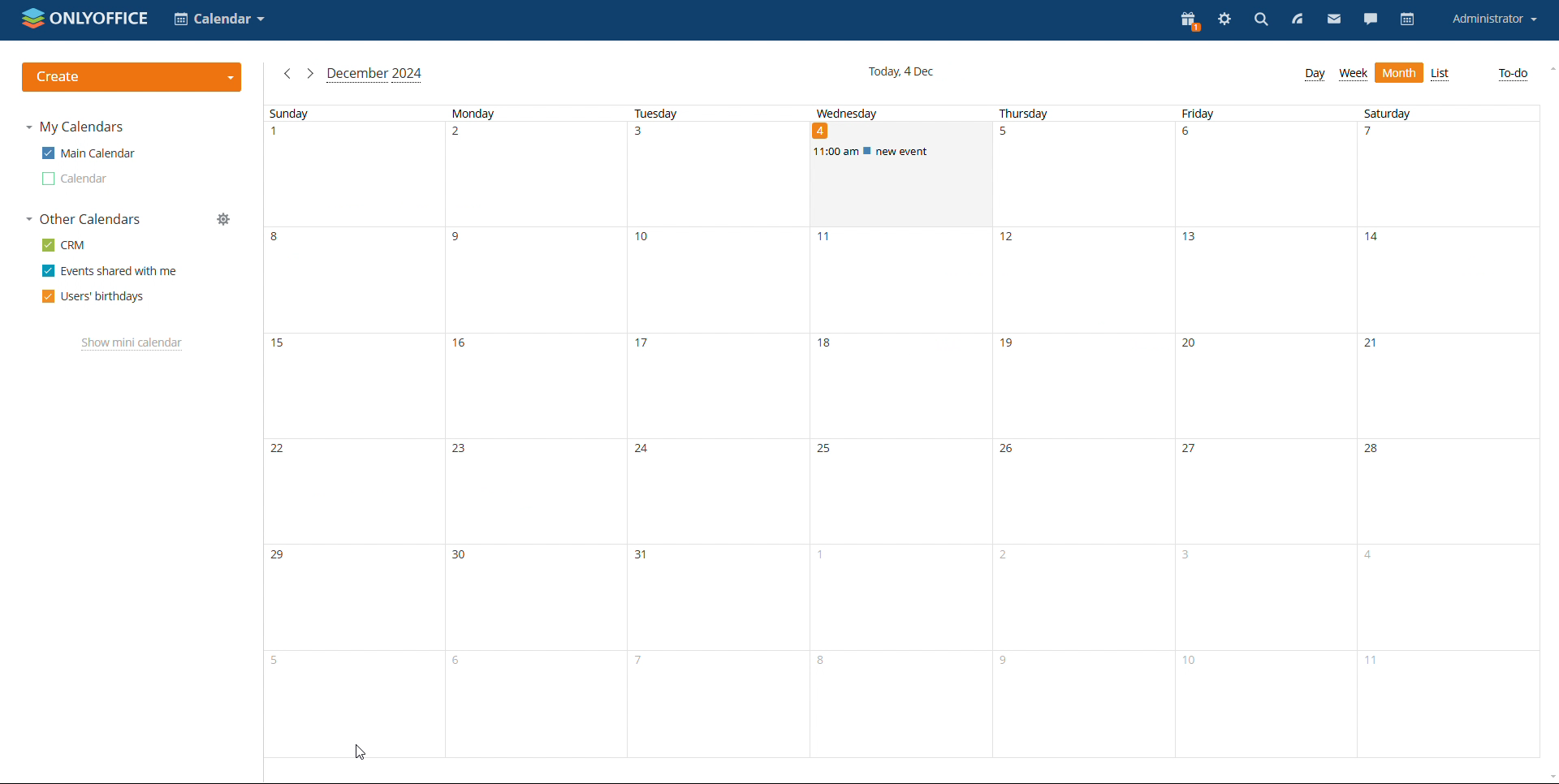 The height and width of the screenshot is (784, 1559). I want to click on to-do, so click(1514, 73).